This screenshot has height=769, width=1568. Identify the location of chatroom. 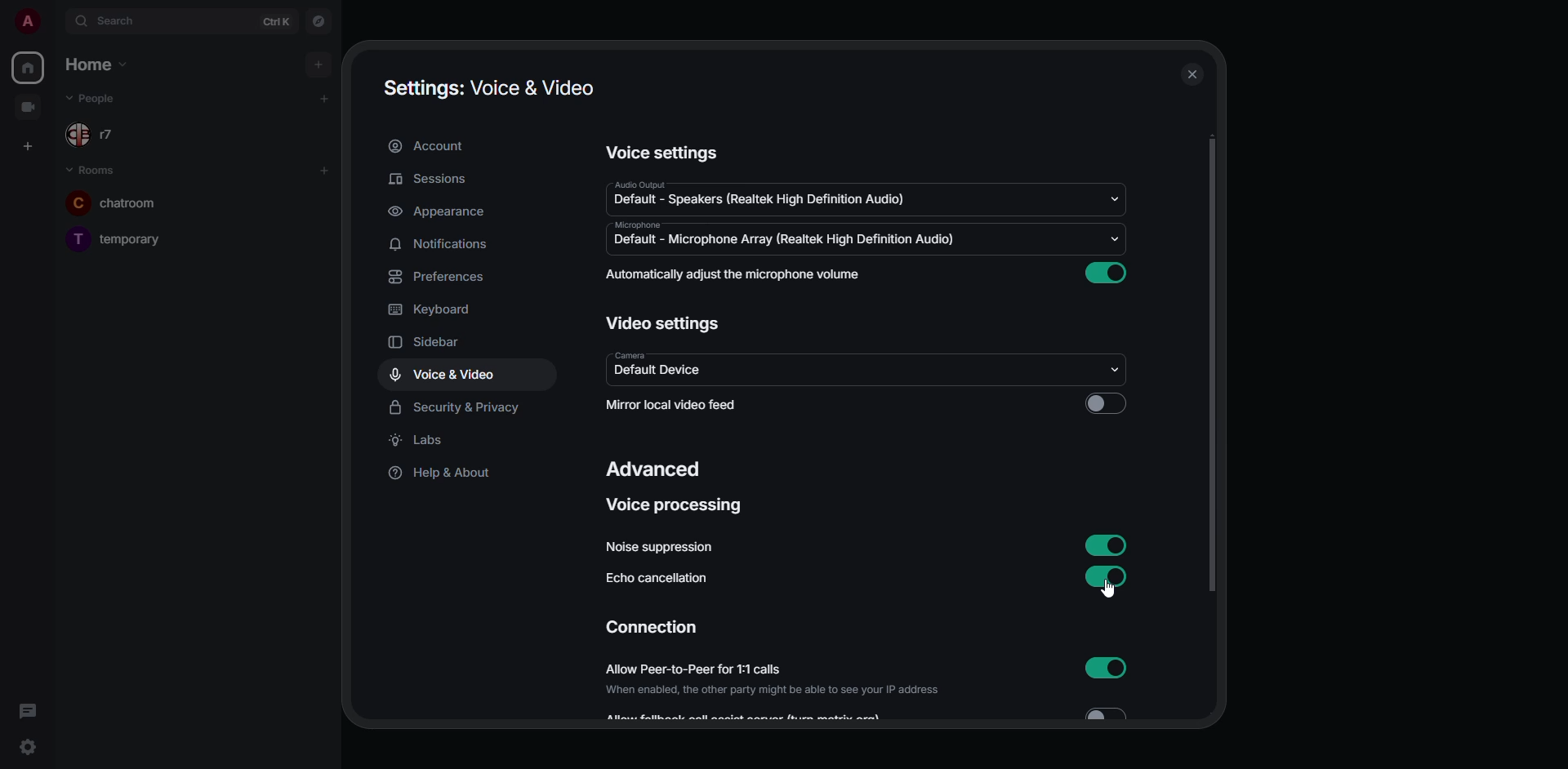
(119, 202).